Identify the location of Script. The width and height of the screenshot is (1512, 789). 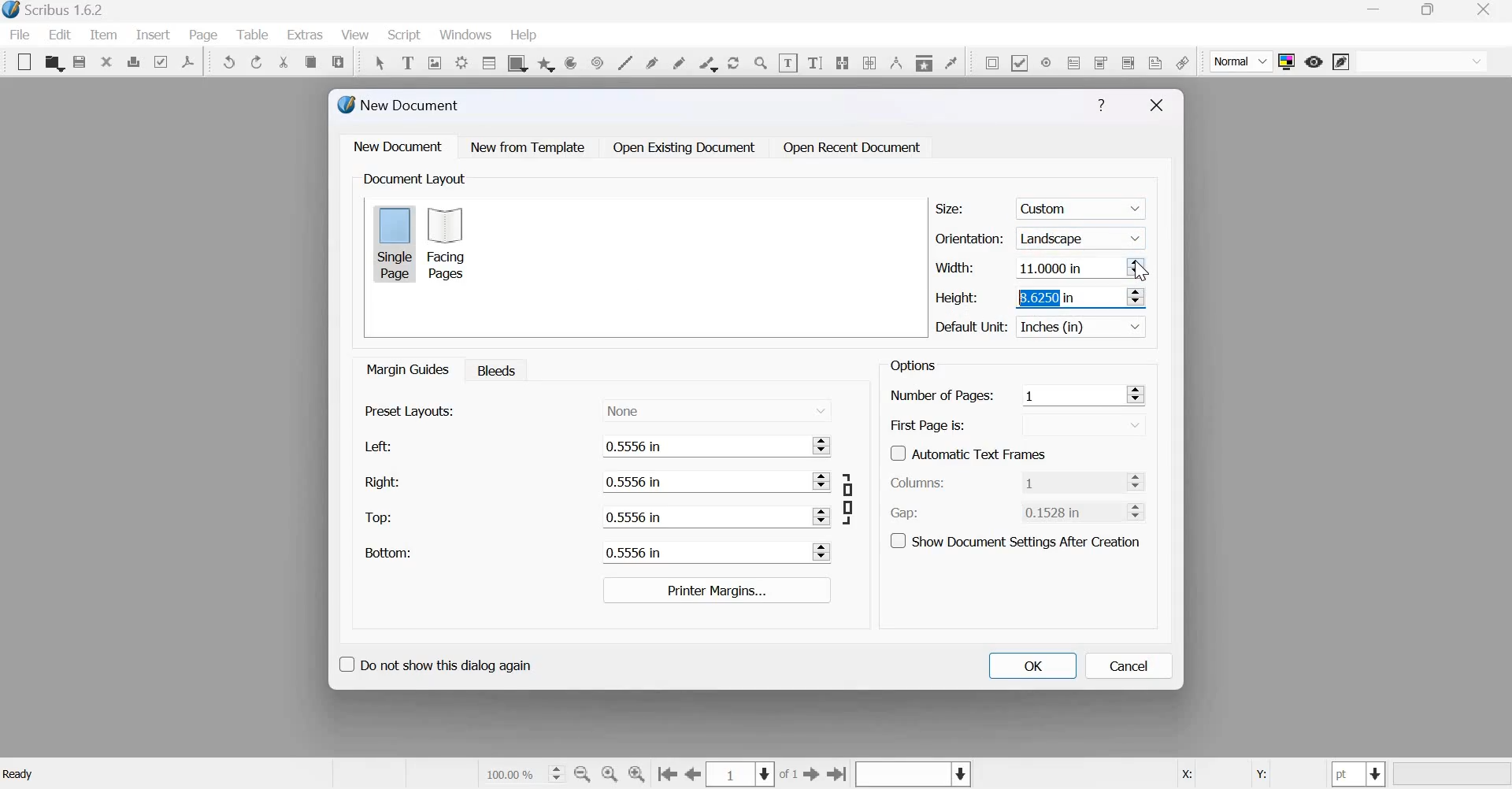
(403, 35).